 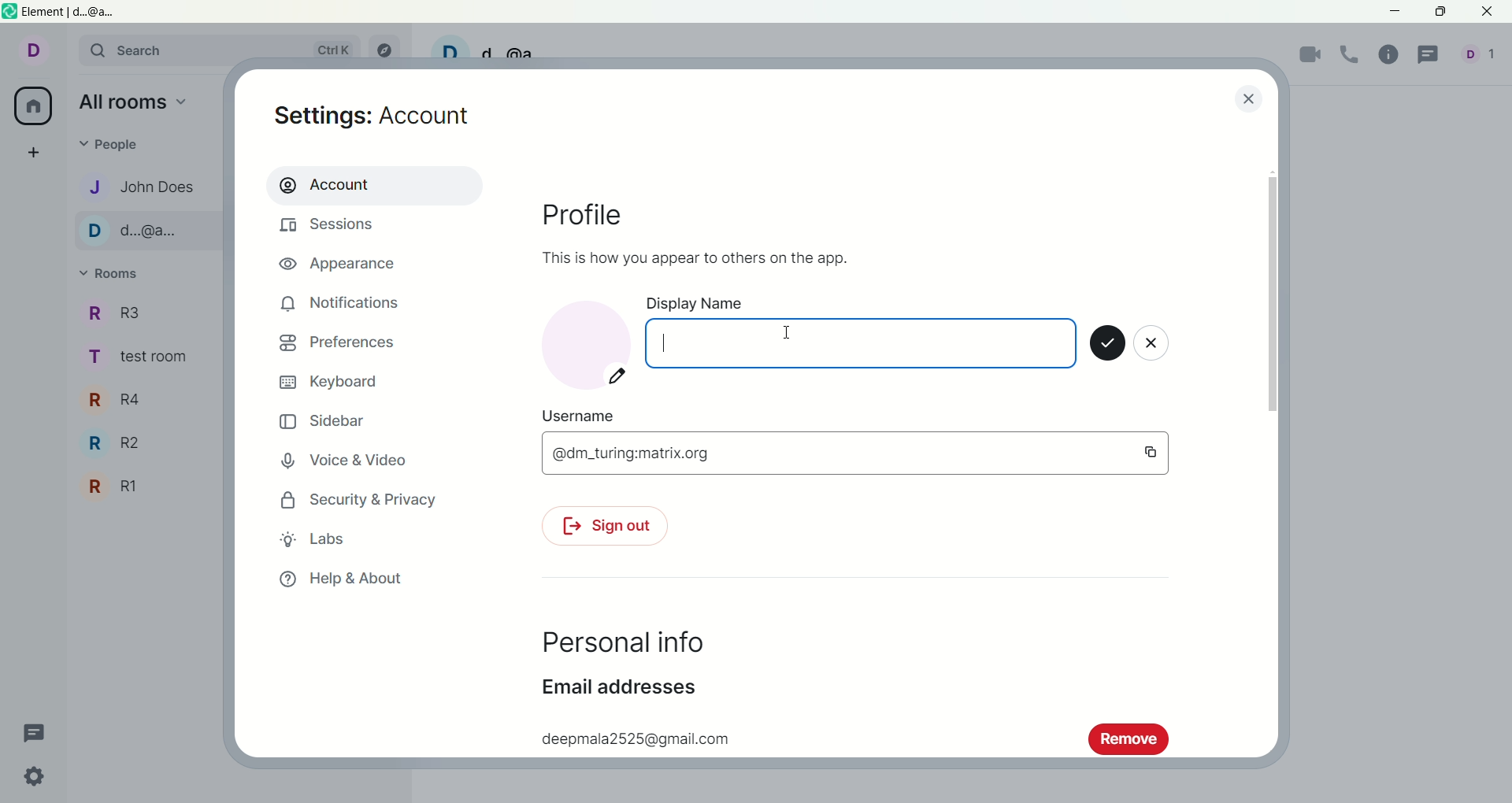 What do you see at coordinates (332, 228) in the screenshot?
I see `sessions` at bounding box center [332, 228].